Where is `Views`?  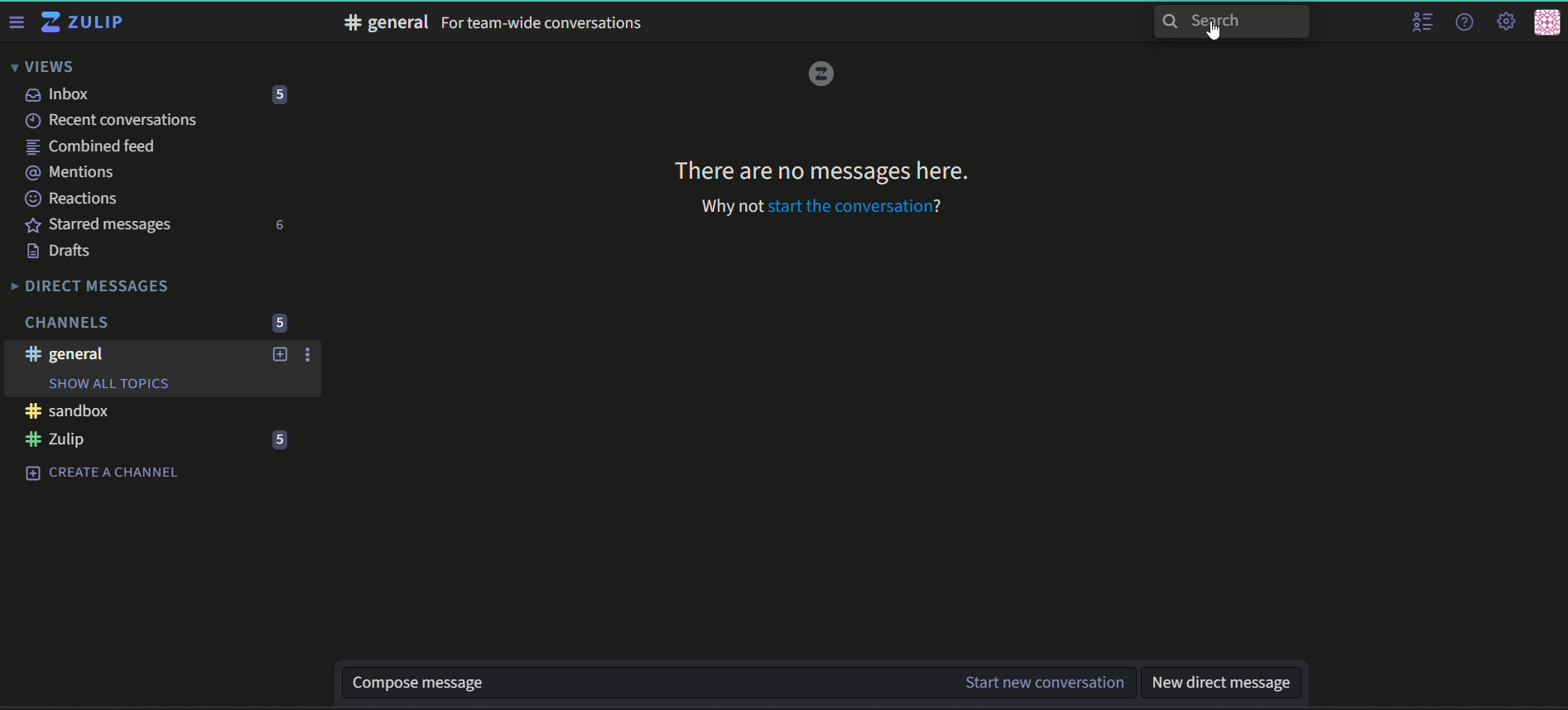 Views is located at coordinates (41, 66).